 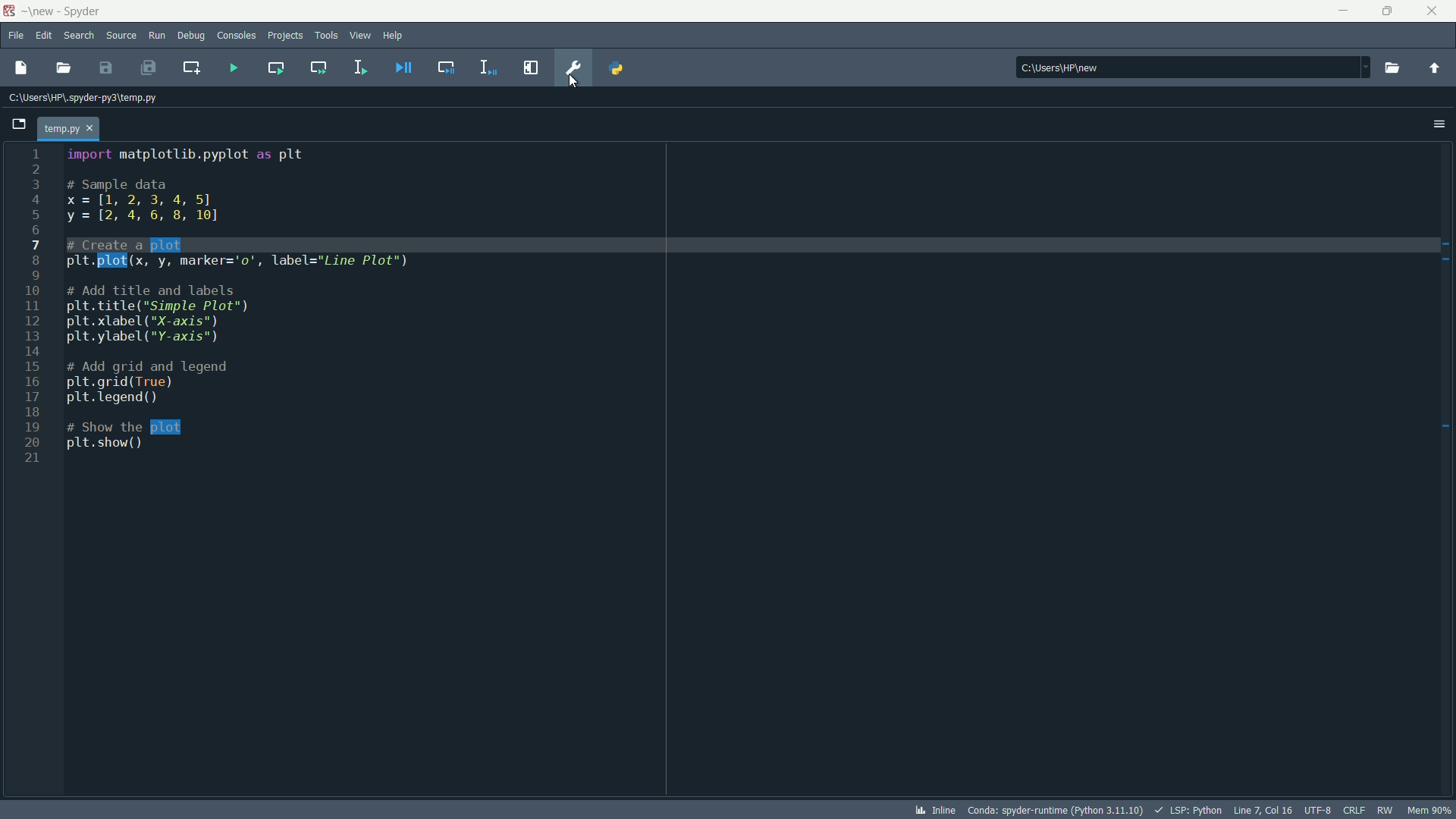 I want to click on help, so click(x=394, y=36).